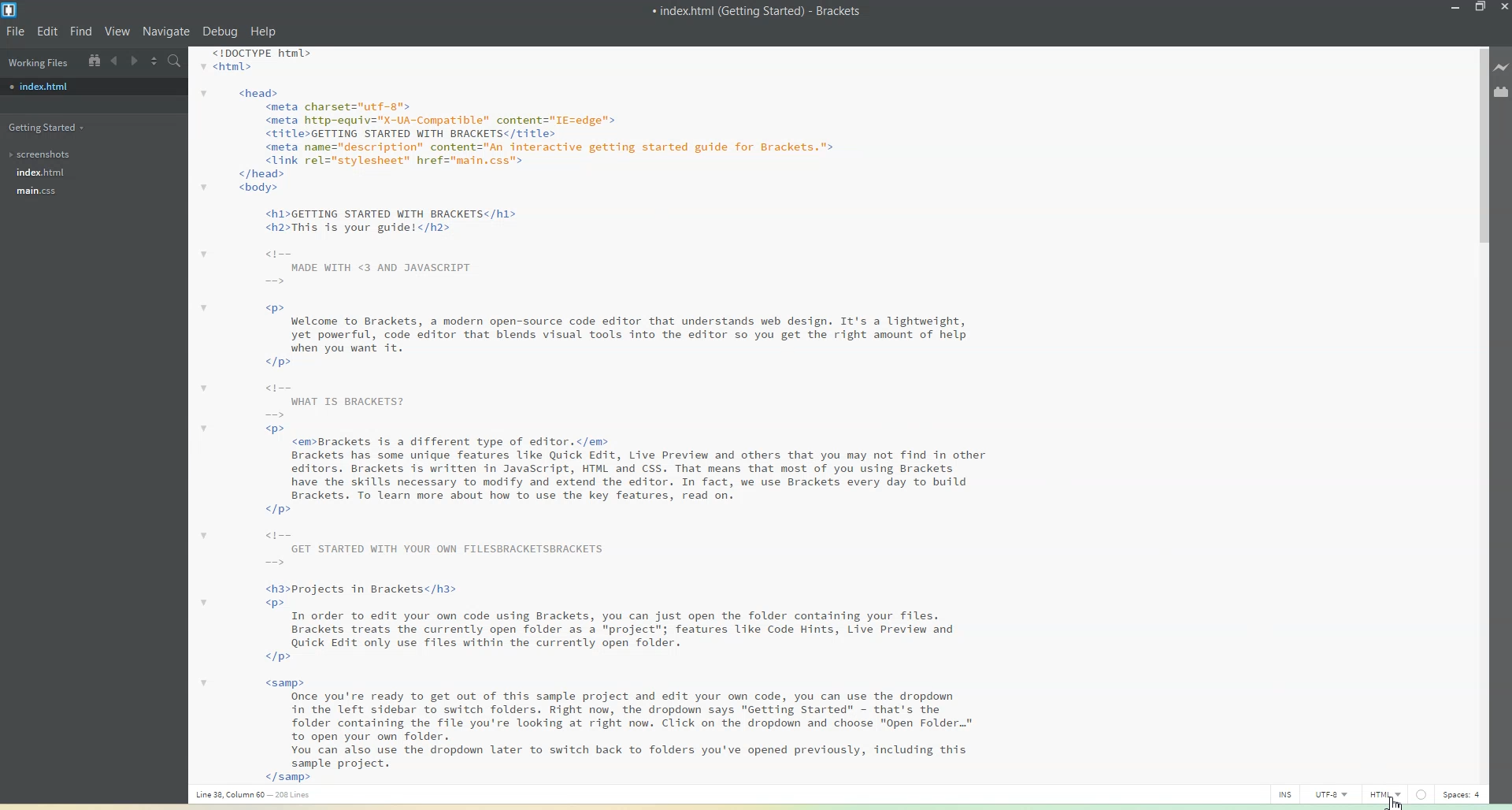 The image size is (1512, 810). What do you see at coordinates (1478, 409) in the screenshot?
I see `Vertical Scroll bar` at bounding box center [1478, 409].